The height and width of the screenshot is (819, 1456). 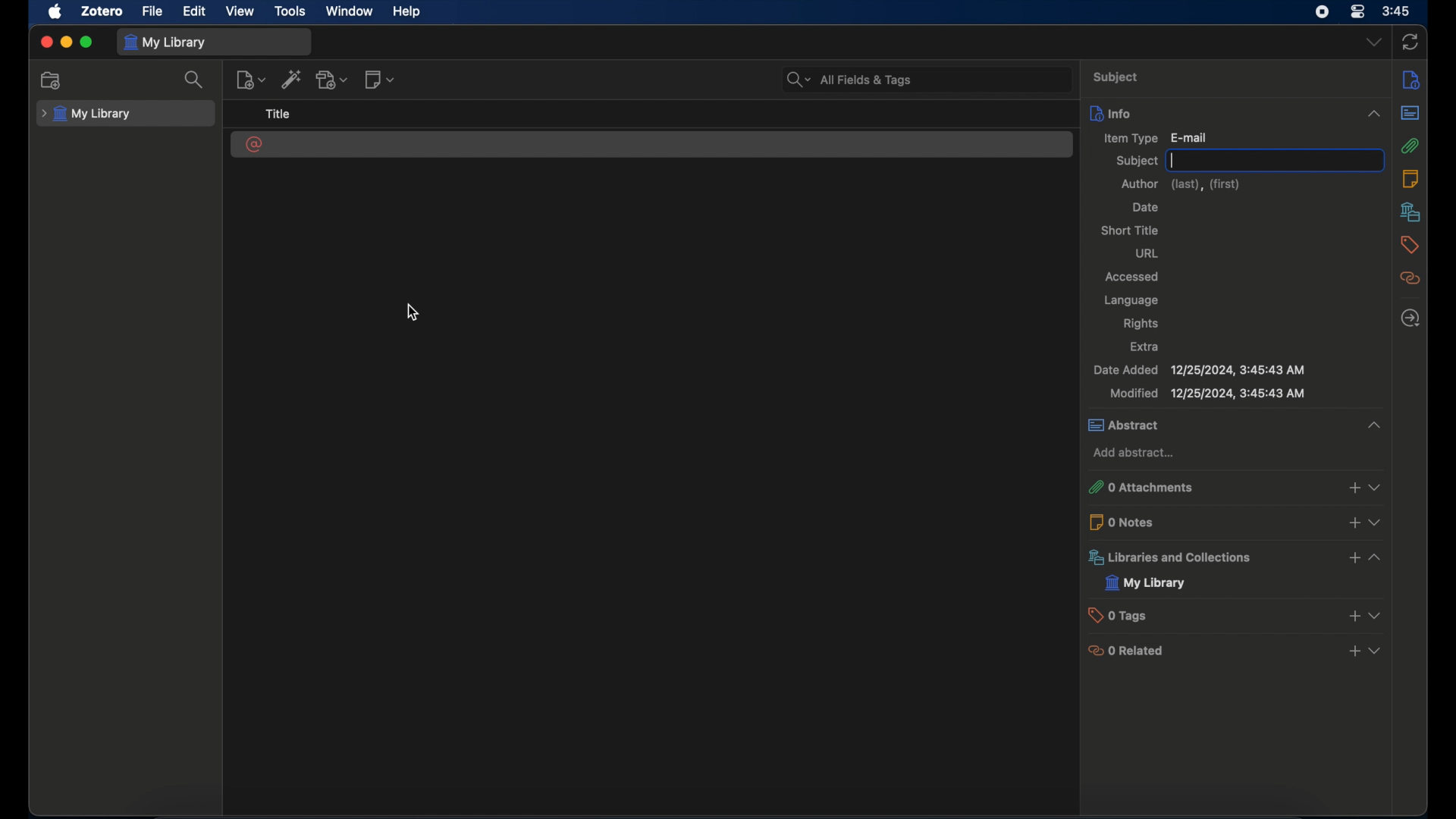 I want to click on cursor, so click(x=413, y=312).